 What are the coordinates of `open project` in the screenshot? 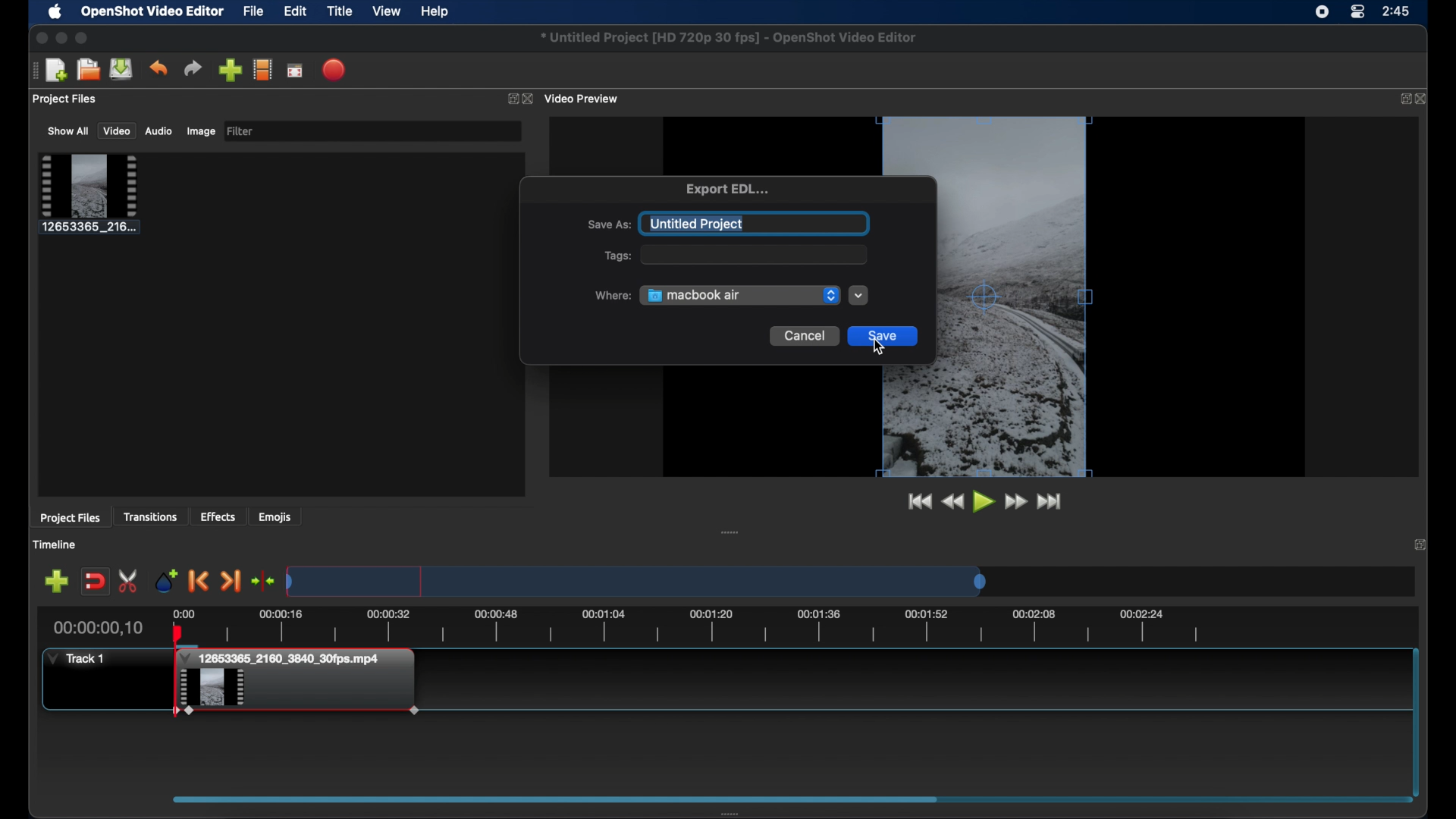 It's located at (89, 69).